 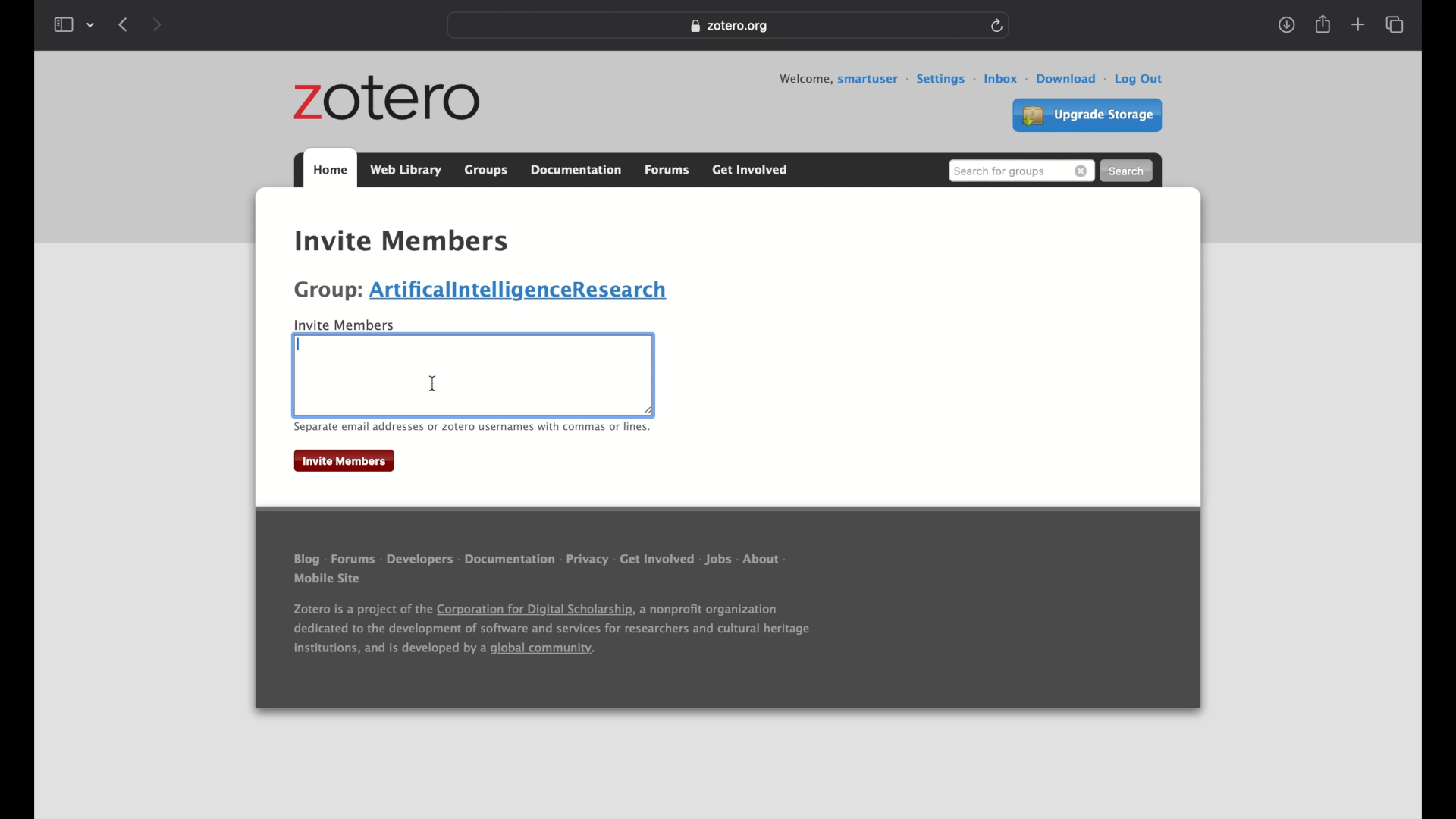 What do you see at coordinates (387, 99) in the screenshot?
I see `zotero` at bounding box center [387, 99].